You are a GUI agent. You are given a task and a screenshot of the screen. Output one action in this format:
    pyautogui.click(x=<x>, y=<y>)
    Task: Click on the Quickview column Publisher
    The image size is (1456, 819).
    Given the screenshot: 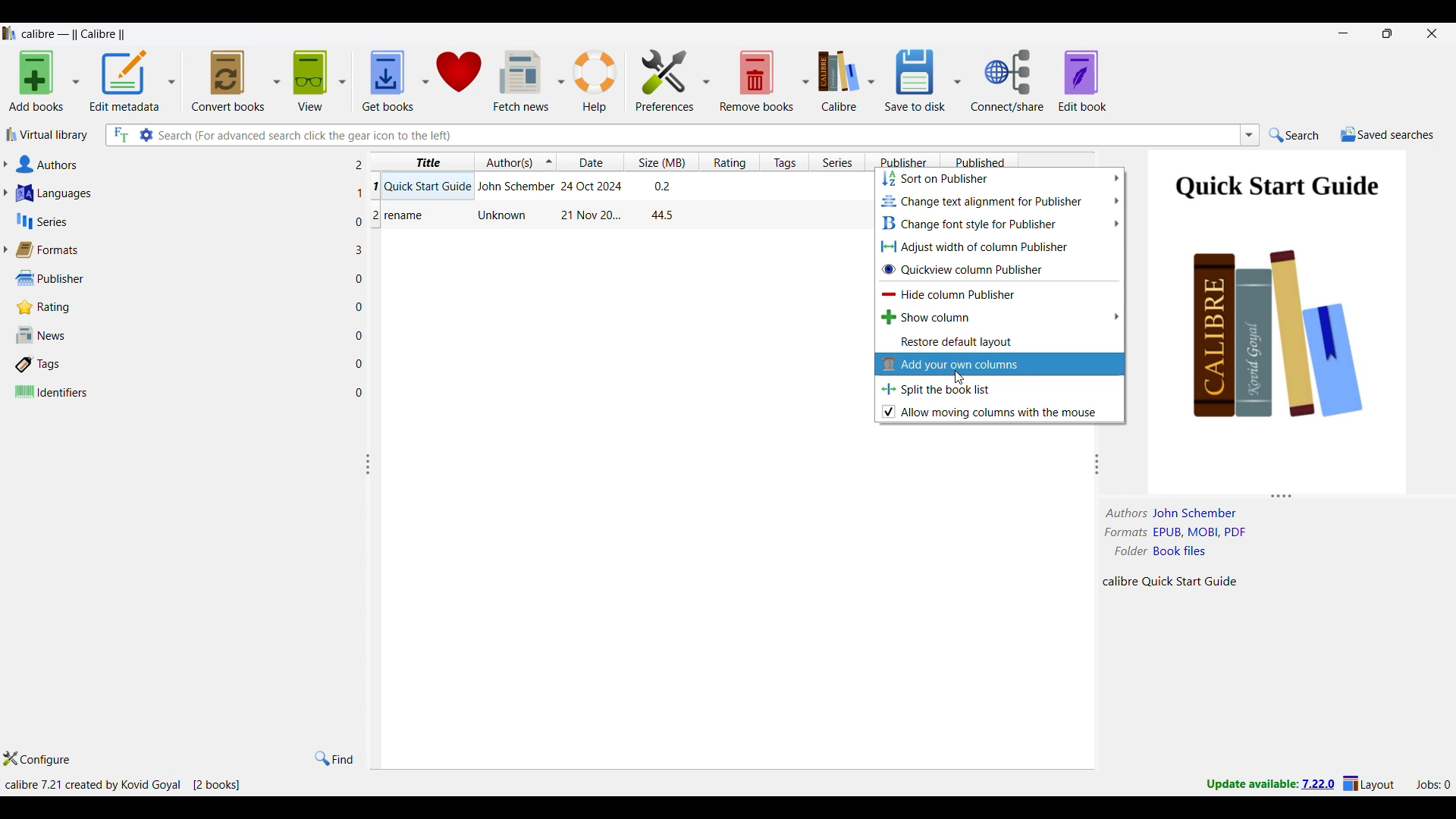 What is the action you would take?
    pyautogui.click(x=1000, y=268)
    